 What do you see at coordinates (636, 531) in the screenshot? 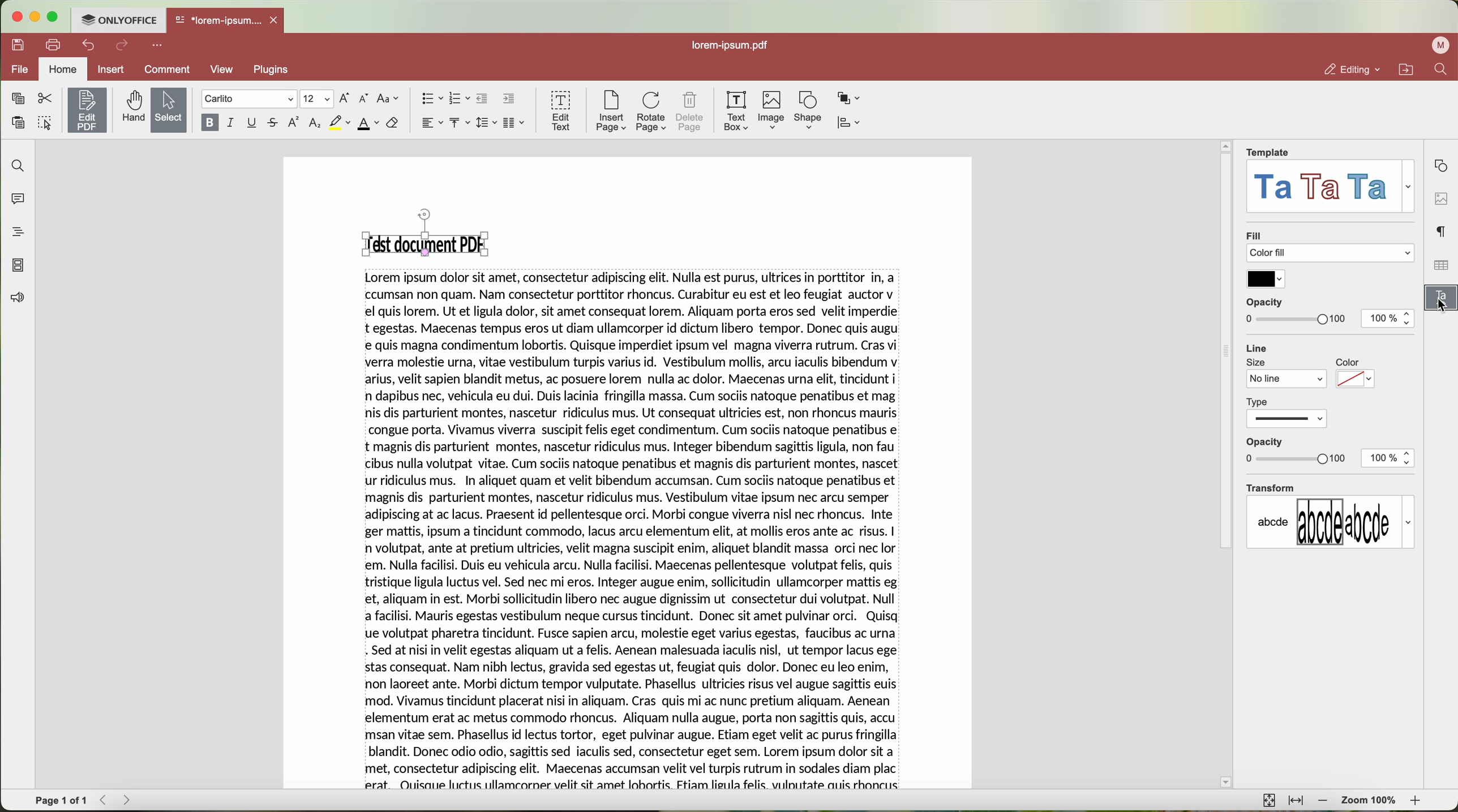
I see `Lorem ipsum dolor sit amet, consectetur adipiscing elit. Nulla est purus, ultrices in porttitor in, a
ccumsan non quam. Nam consectetur porttitor rhoncus. Curabitur eu est et leo feugiat auctor v
el quis lorem. Ut et ligula dolor, sit amet consequat lorem. Aliquam porta eros sed velit imperdie
t egestas. Maecenas tempus eros ut diam ullamcorper id dictum libero tempor. Donec quis augu
e quis magna condimentum lobortis. Quisque imperdiet ipsum vel magna viverra rutrum. Cras vi
verra molestie urna, vitae vestibulum turpis varius id. Vestibulum mollis, arcu iaculis bibendum v
arius, velit sapien blandit metus, ac posuere lorem nulla ac dolor. Maecenas urna elit, tincidunt i
n dapibus nec, vehicula eu dui. Duis lacinia fringilla massa. Cum sociis natoque penatibus et mag
nis dis parturient montes, nascetur ridiculus mus. Ut consequat ultricies est, non rhoncus mauris
congue porta. Vivamus viverra suscipit felis eget condimentum. Cum sociis natoque penatibus e
t magnis dis parturient montes, nascetur ridiculus mus. Integer bibendum sagittis ligula, non fau
cibus nulla volutpat vitae. Cum sociis natoque penatibus et magnis dis parturient montes, nascet
ur ridiculus mus. In aliquet quam et velit bibendum accumsan. Cum sociis natoque penatibus et
magnis dis parturient montes, nascetur ridiculus mus. Vestibulum vitae ipsum nec arcu semper
adipiscing at ac lacus. Praesent id pellentesque orci. Morbi congue viverra nisl nec rhoncus. Inte
ger mattis, ipsum a tincidunt commodo, lacus arcu elementum elit, at mollis eros ante ac risus. |
n volutpat, ante at pretium ultricies, velit magna suscipit enim, aliquet blandit massa orci nec lor
em. Nulla facilisi. Duis eu vehicula arcu. Nulla facilisi. Maecenas pellentesque volutpat felis, quis
tristique ligula luctus vel. Sed nec mi eros. Integer augue enim, sollicitudin ullamcorper mattis eg
et, aliquam in est. Morbi sollicitudin libero nec augue dignissim ut consectetur dui volutpat. Null
a facilisi. Mauris egestas vestibulum neque cursus tincidunt. Donec sit amet pulvinar orci. Quisq
ue volutpat pharetra tincidunt. Fusce sapien arcu, molestie eget varius egestas, faucibus ac urna
. Sed at nisi in velit egestas aliquam ut a felis. Aenean malesuada iaculis nisl, ut tempor lacus ege
stas consequat. Nam nibh lectus, gravida sed egestas ut, feugiat quis dolor. Donec eu leo enim,
non laoreet ante. Morbi dictum tempor vulputate. Phasellus ultricies risus vel augue sagittis euis
mod. Vivamus tincidunt placerat nisi in aliquam. Cras quis mi ac nunc pretium aliquam. Aenean
elementum erat ac metus commodo rhoncus. Aliquam nulla augue, porta non sagittis quis, accu
msan vitae sem. Phasellus id lectus tortor, eget pulvinar augue. Etiam eget velit ac purus fringilla
blandit. Donec odio odio, sagittis sed iaculis sed, consectetur eget sem. Lorem ipsum dolor sit a
met, consectetur adipiscing elit. Maecenas accumsan velit vel turpis rutrum in sodales diam plac
erat. Ouisaue luctus ullamcarner velit sit amet lobortis. Friam lieula felis. viilnutate ais rhonciis` at bounding box center [636, 531].